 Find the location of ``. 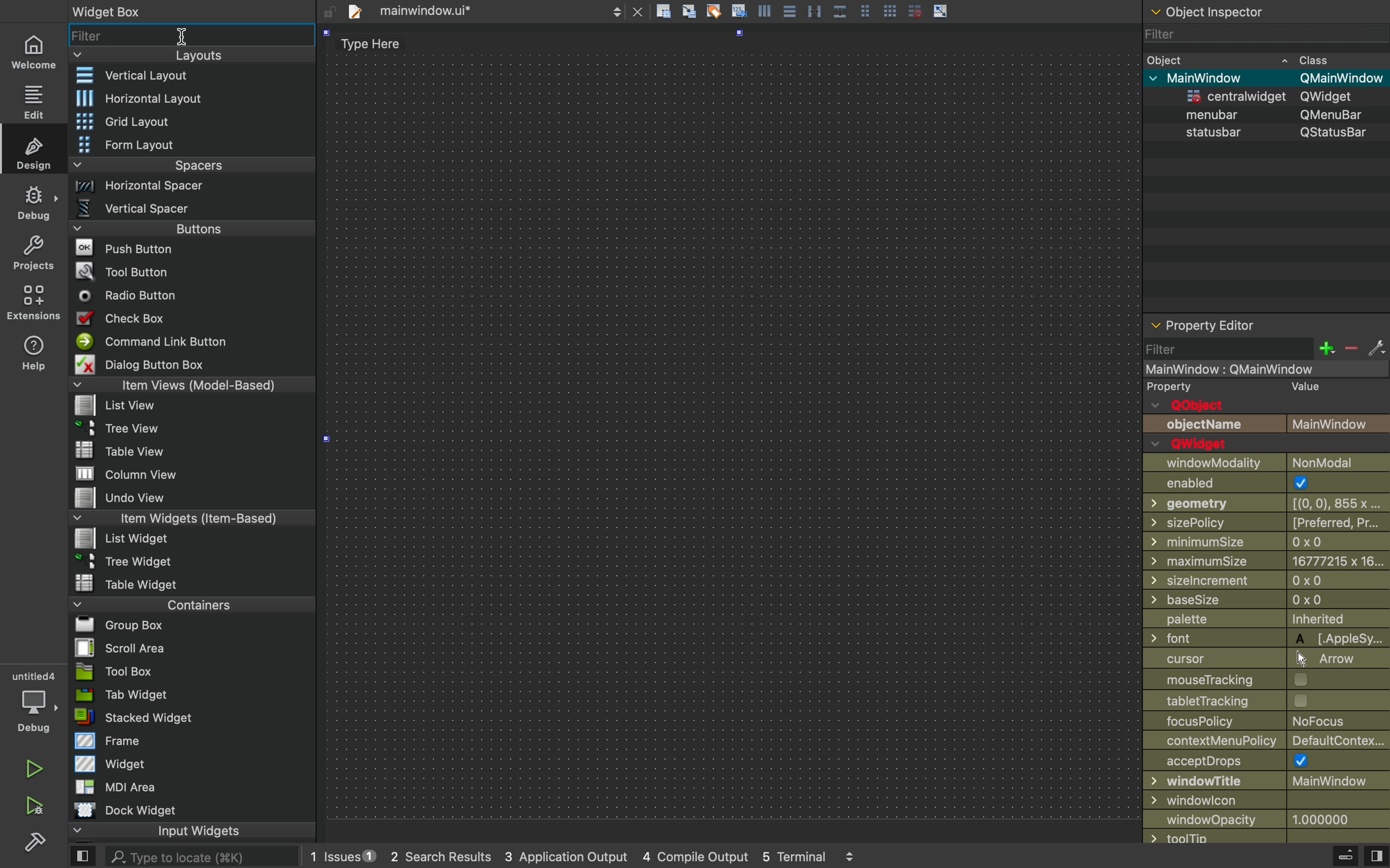

 is located at coordinates (87, 855).